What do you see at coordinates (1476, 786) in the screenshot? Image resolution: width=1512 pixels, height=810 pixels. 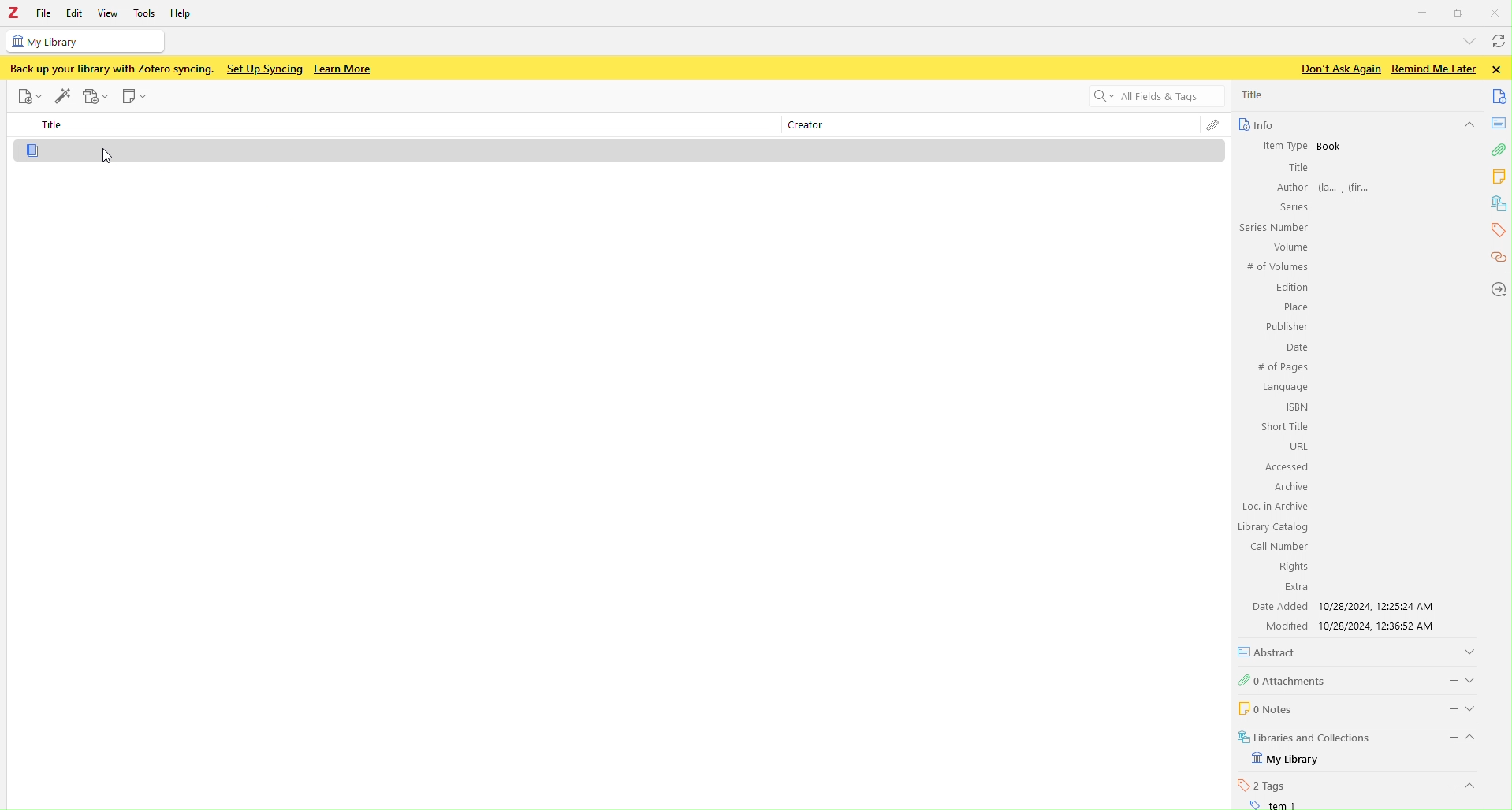 I see `show` at bounding box center [1476, 786].